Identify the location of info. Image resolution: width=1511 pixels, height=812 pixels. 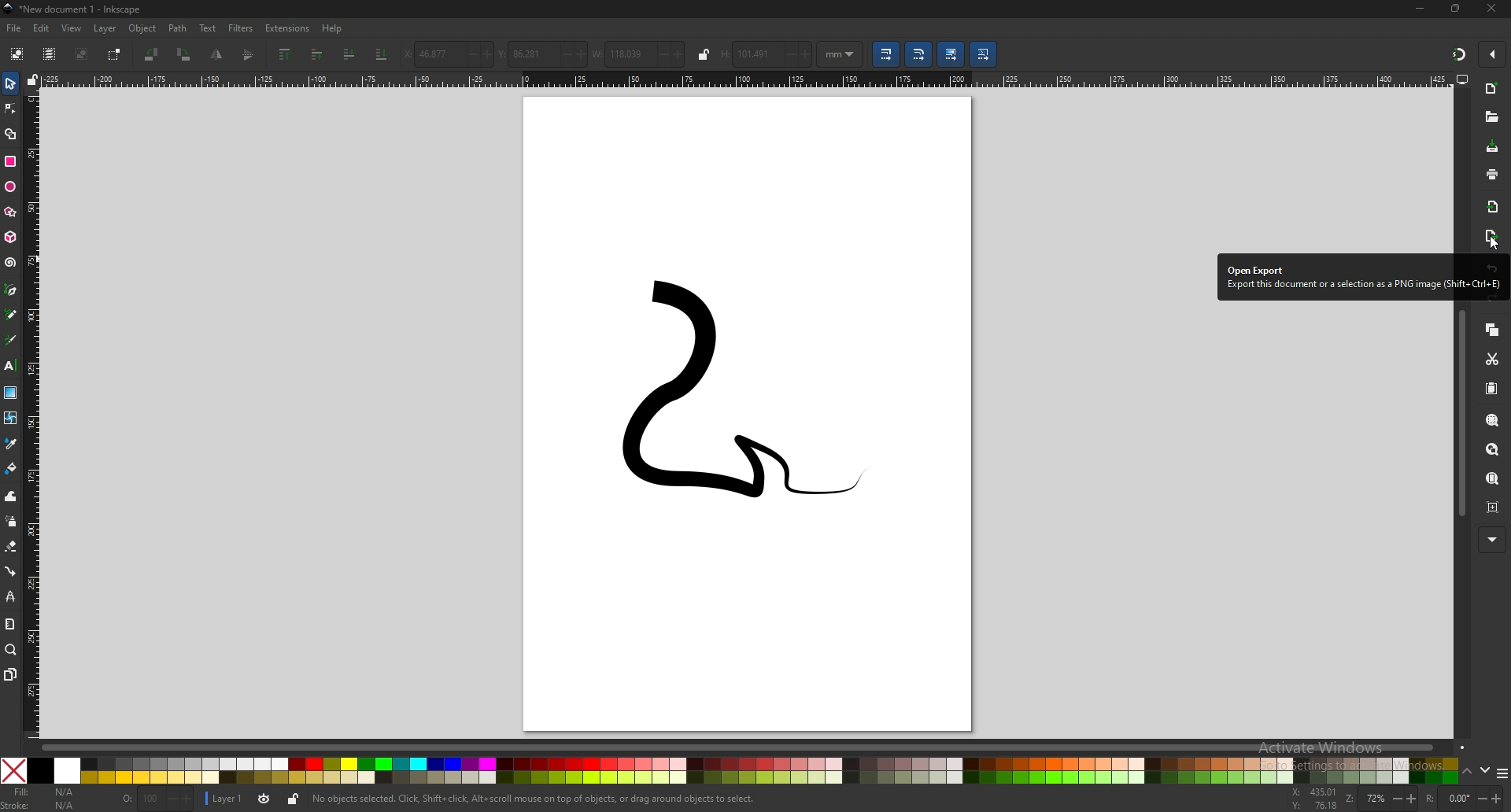
(535, 799).